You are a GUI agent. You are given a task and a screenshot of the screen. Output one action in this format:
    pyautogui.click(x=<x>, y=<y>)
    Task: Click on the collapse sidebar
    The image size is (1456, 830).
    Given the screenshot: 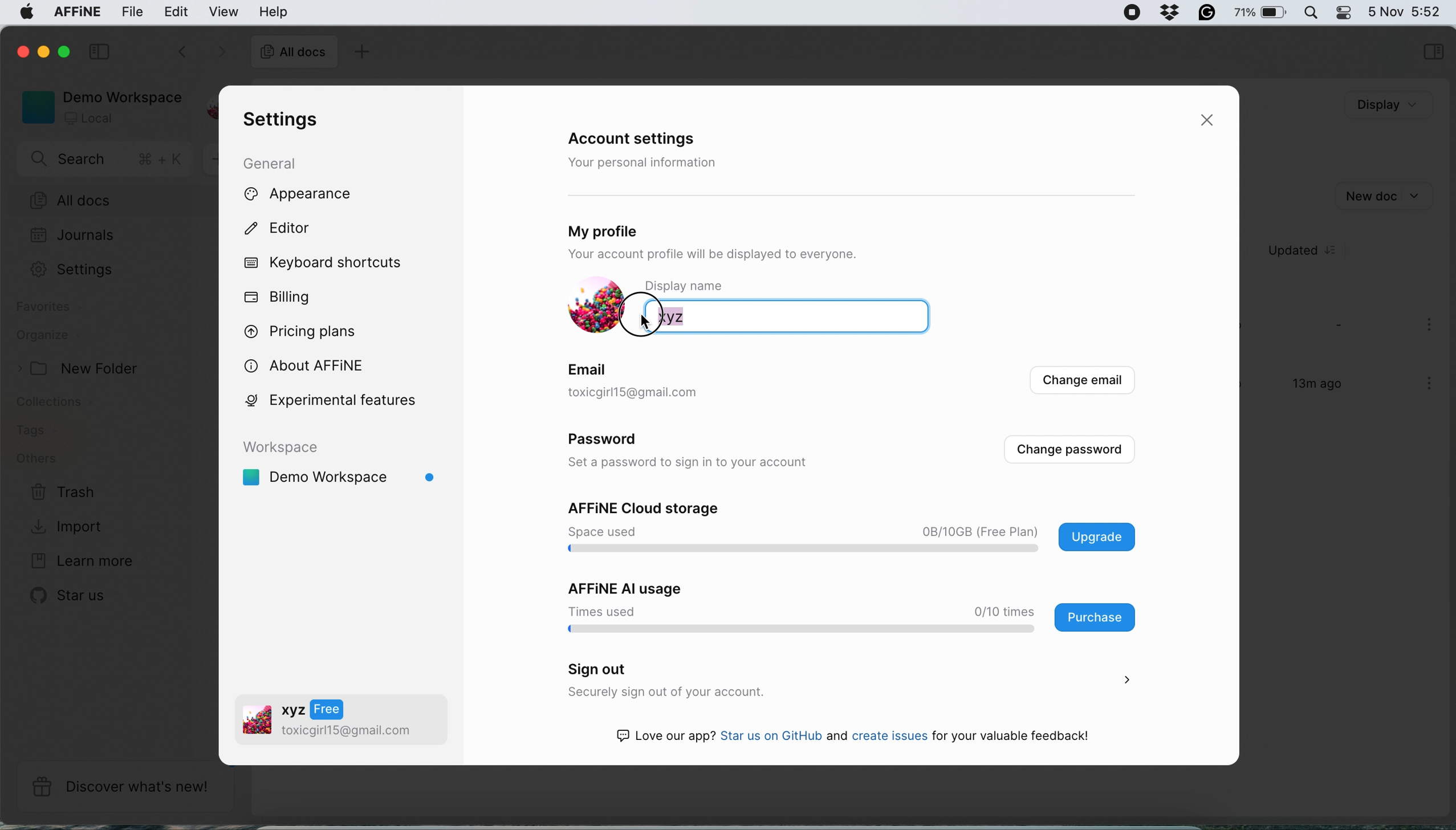 What is the action you would take?
    pyautogui.click(x=102, y=50)
    